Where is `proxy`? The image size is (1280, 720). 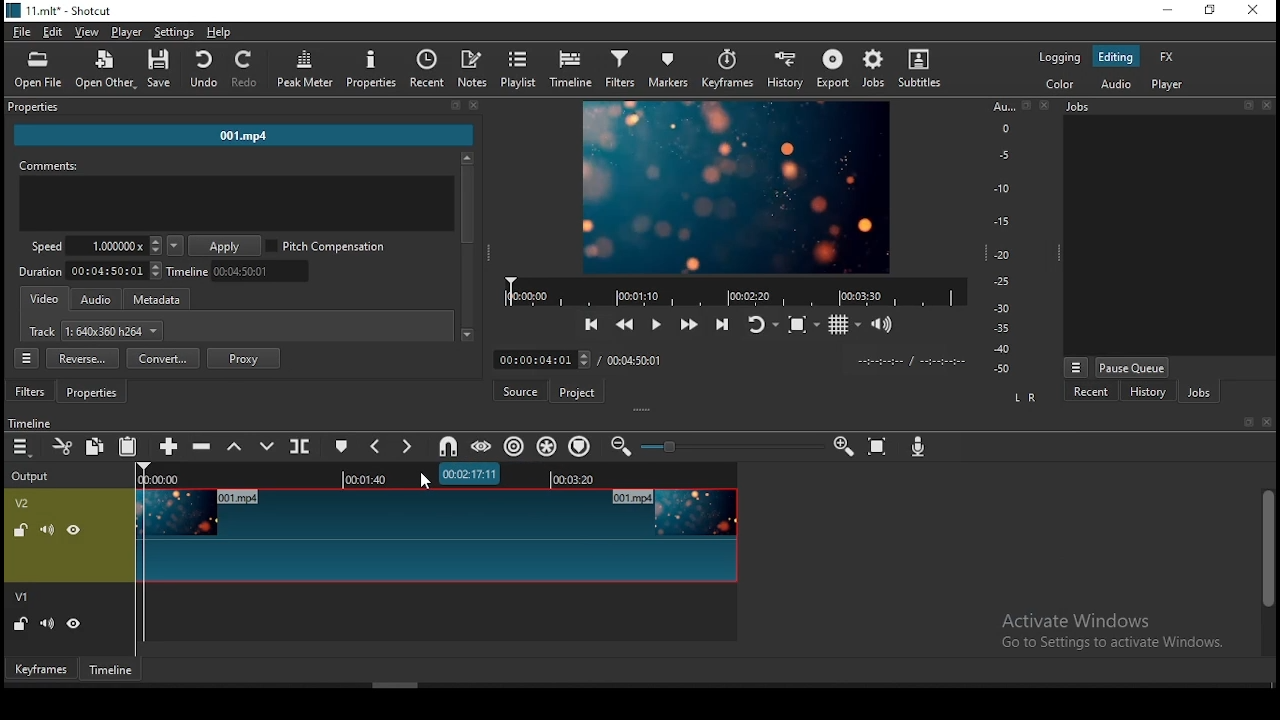
proxy is located at coordinates (244, 358).